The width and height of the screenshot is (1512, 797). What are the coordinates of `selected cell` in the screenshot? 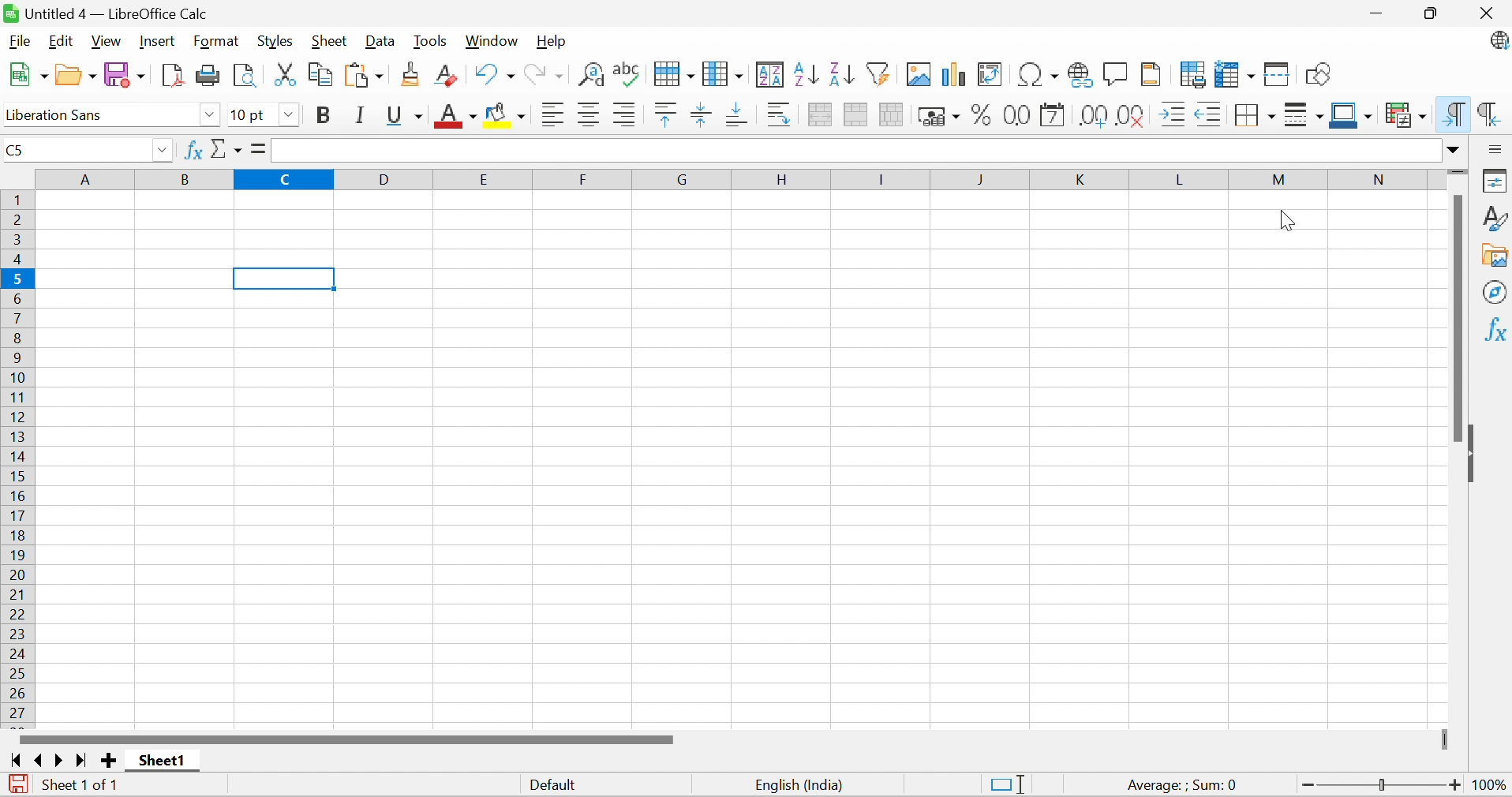 It's located at (285, 279).